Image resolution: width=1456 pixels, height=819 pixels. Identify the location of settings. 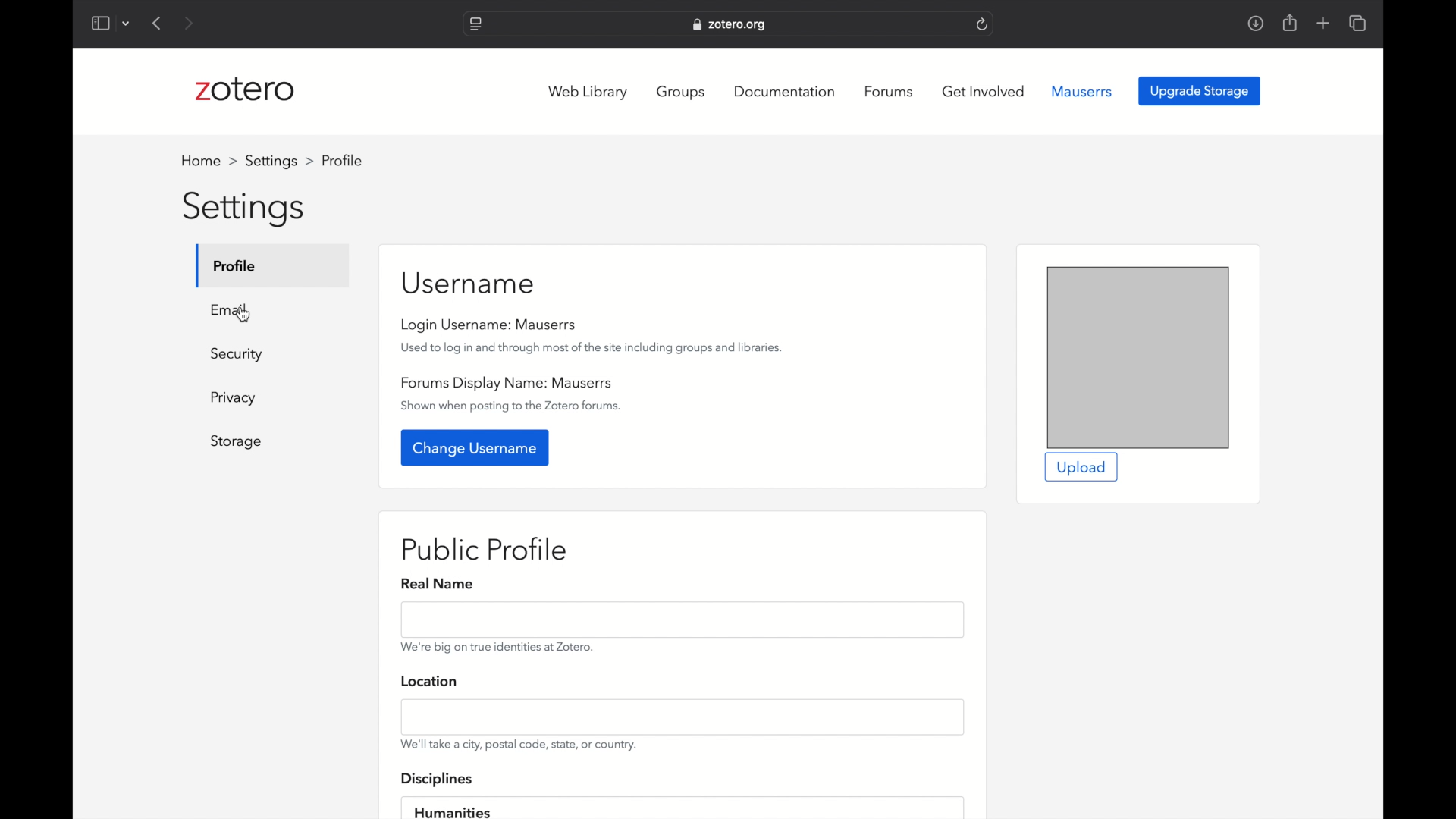
(279, 161).